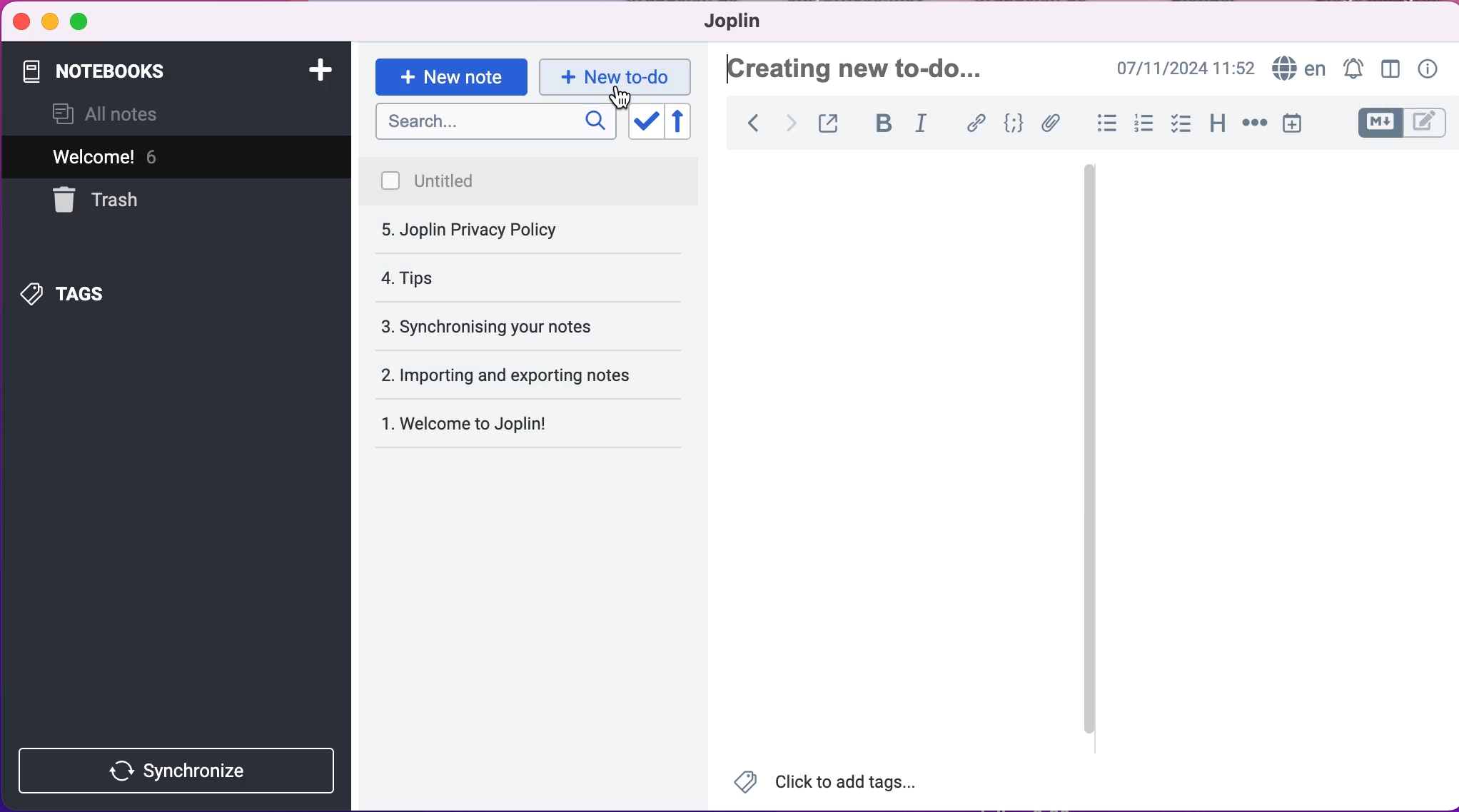  Describe the element at coordinates (753, 126) in the screenshot. I see `back` at that location.